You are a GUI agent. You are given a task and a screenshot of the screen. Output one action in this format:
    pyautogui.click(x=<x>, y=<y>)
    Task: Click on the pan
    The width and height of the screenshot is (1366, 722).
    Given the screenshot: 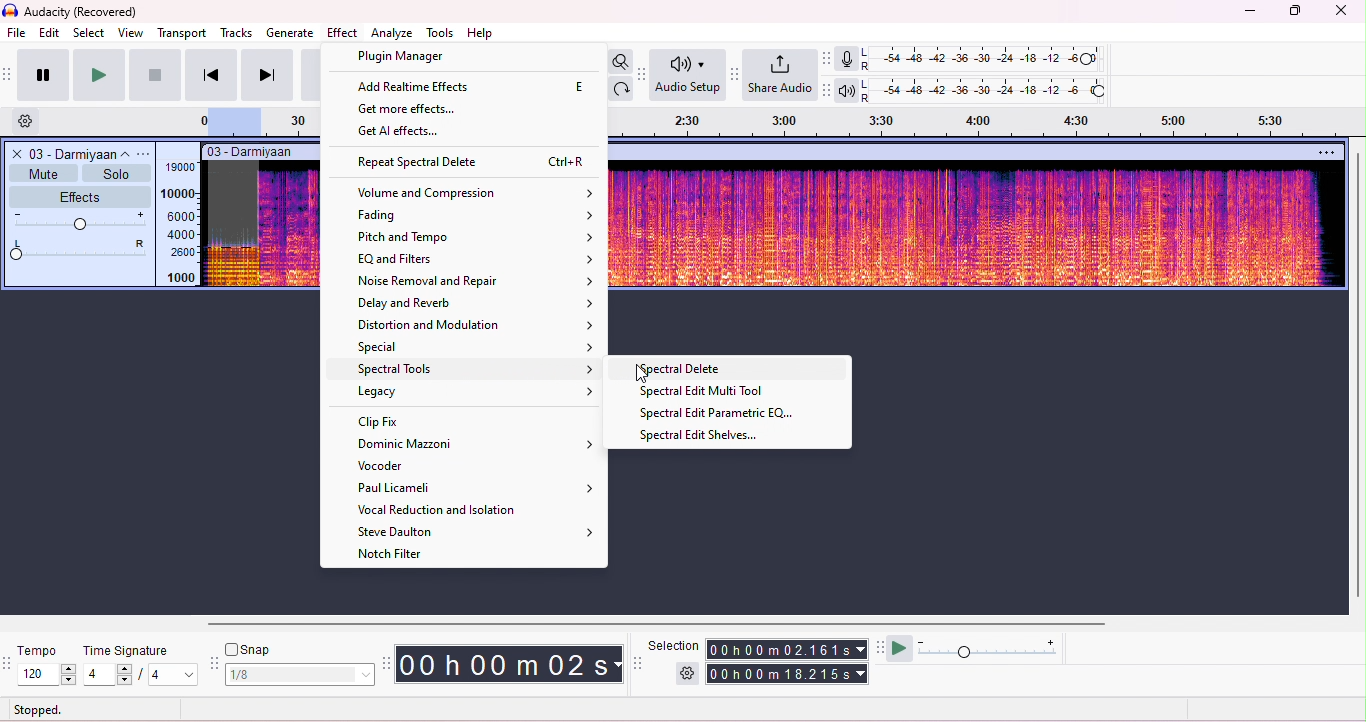 What is the action you would take?
    pyautogui.click(x=79, y=251)
    